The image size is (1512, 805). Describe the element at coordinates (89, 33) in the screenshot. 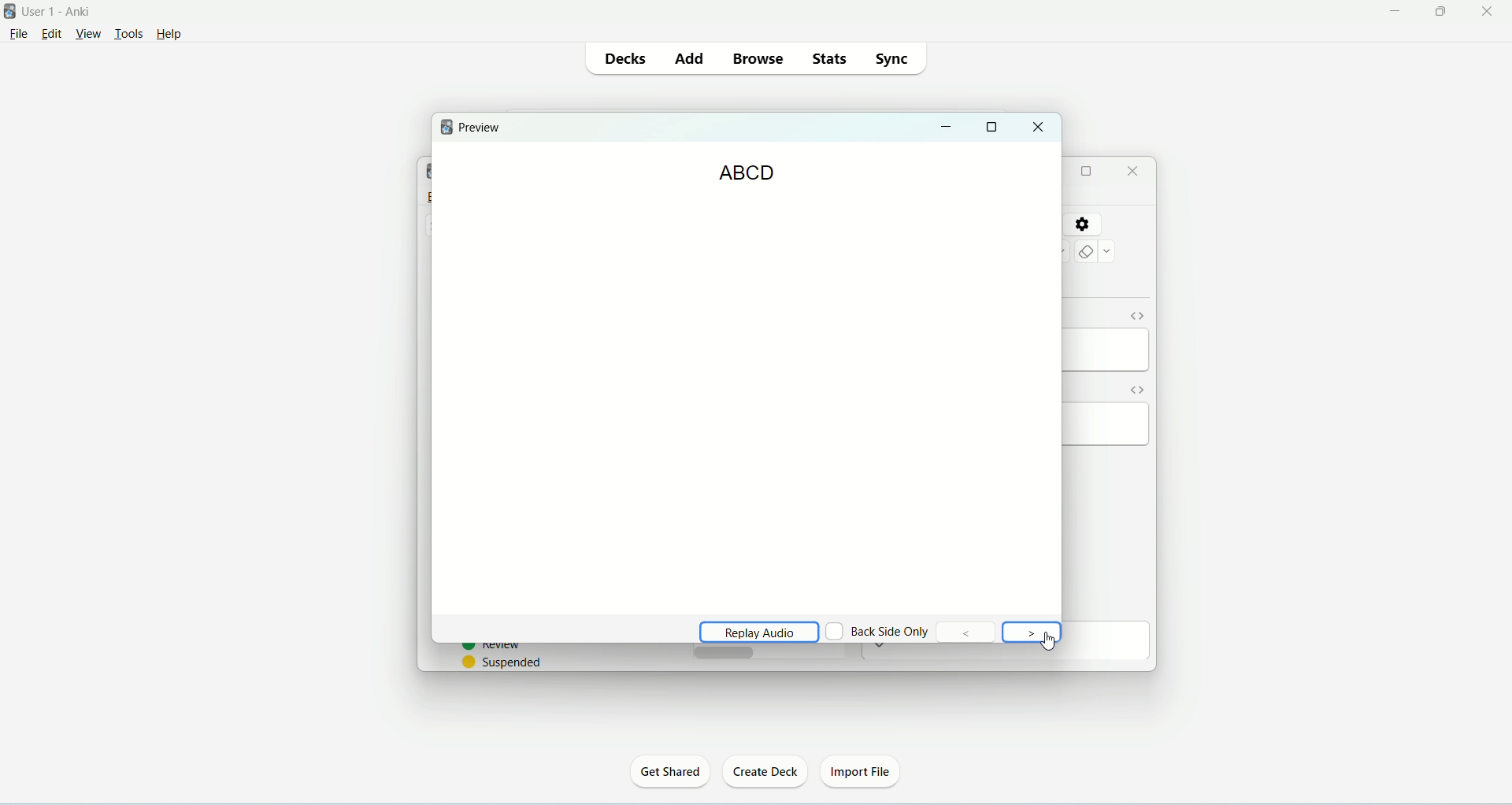

I see `view` at that location.